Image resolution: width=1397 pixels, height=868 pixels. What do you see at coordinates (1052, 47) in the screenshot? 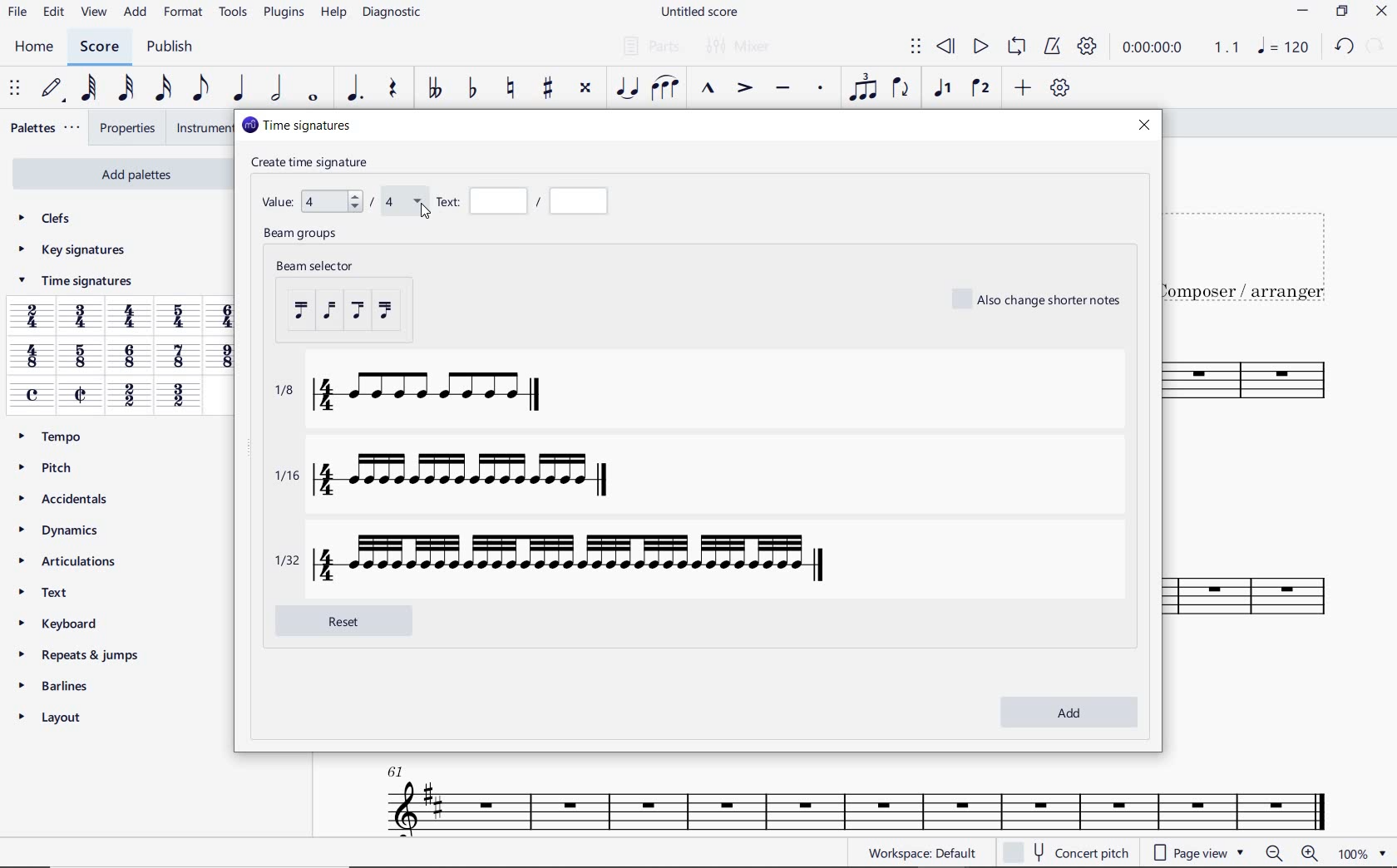
I see `METRONOME` at bounding box center [1052, 47].